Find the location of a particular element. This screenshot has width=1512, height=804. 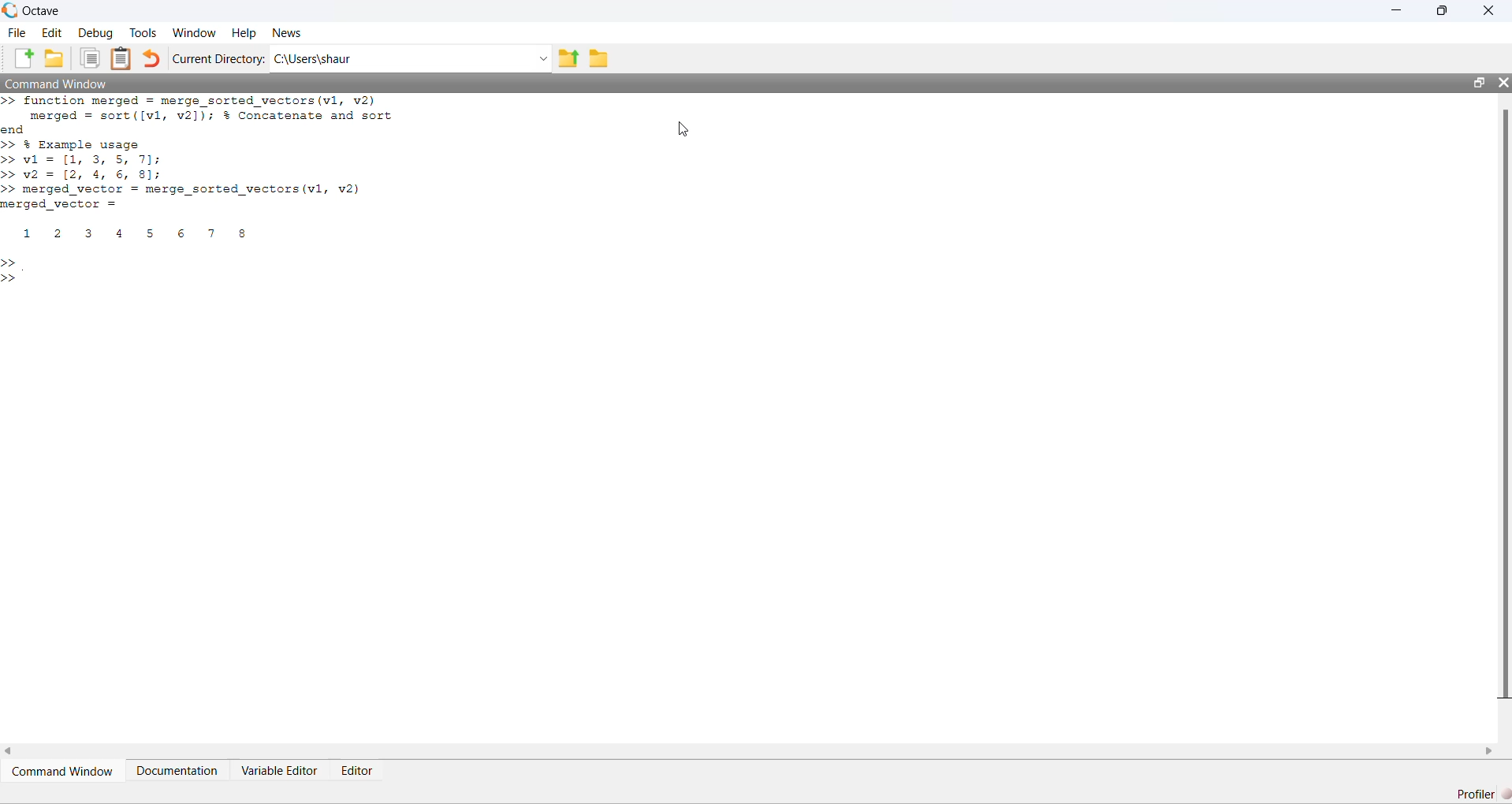

‘Window is located at coordinates (195, 33).